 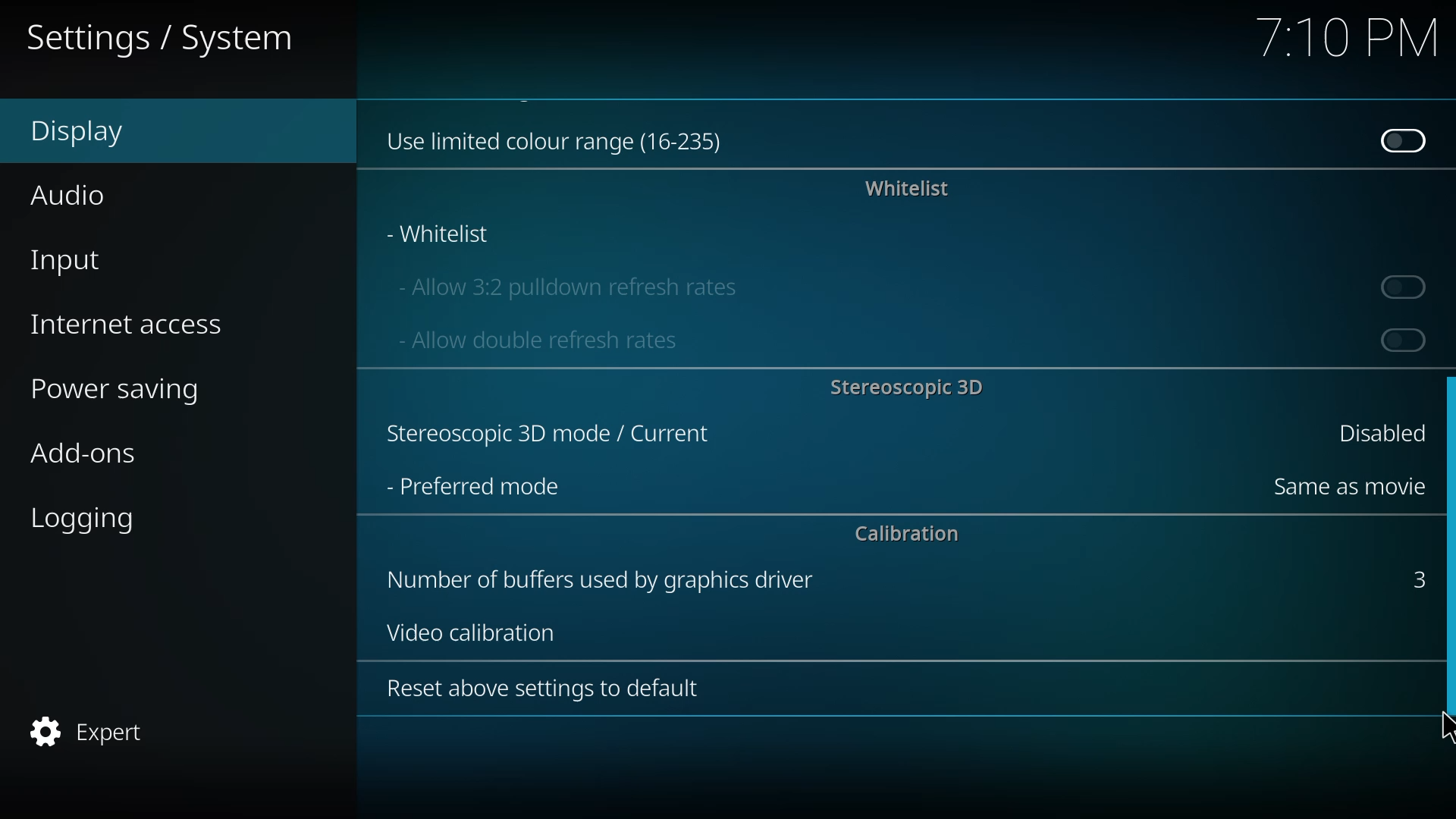 I want to click on enable, so click(x=1406, y=286).